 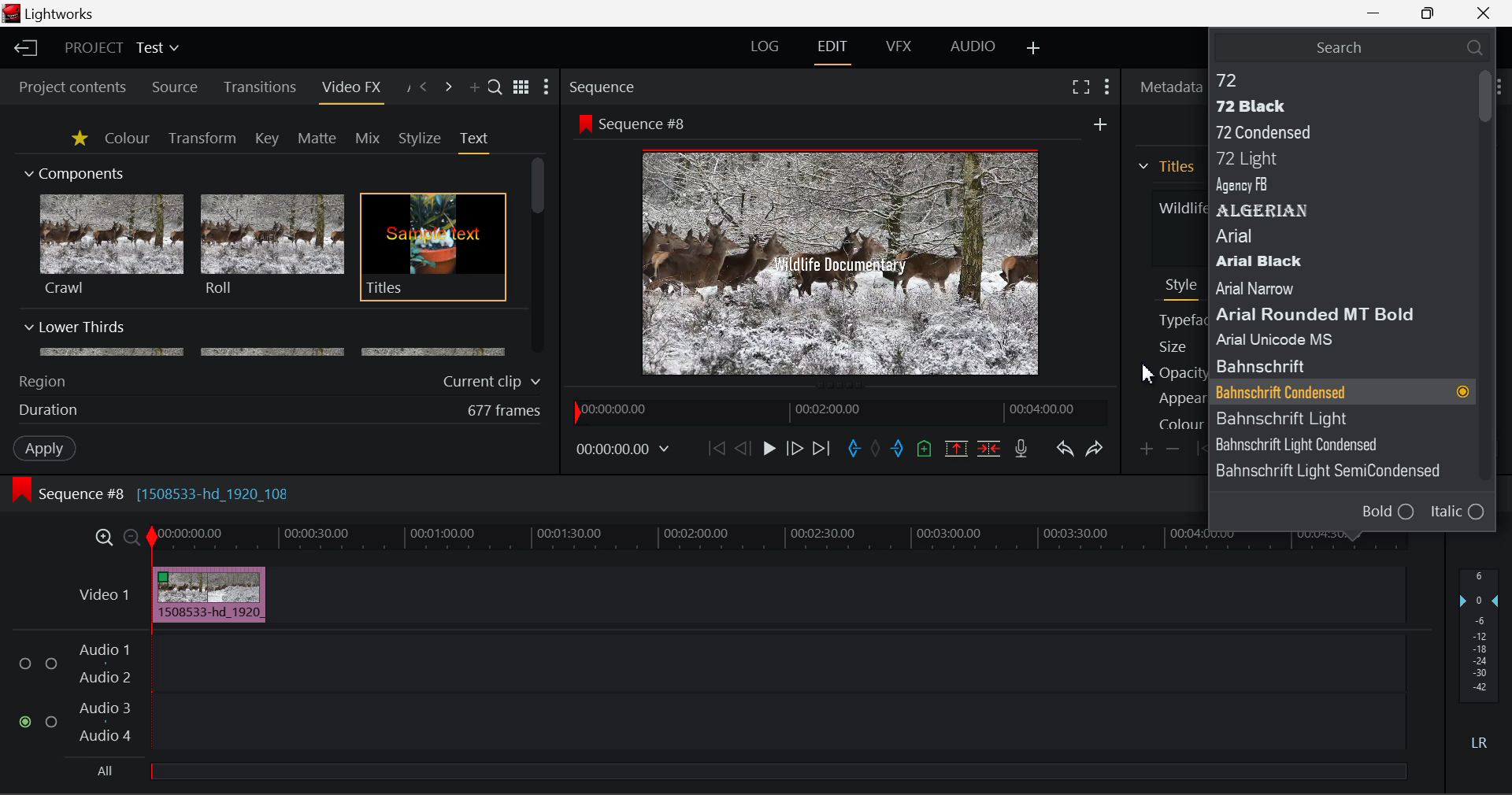 I want to click on Restore Down, so click(x=1375, y=11).